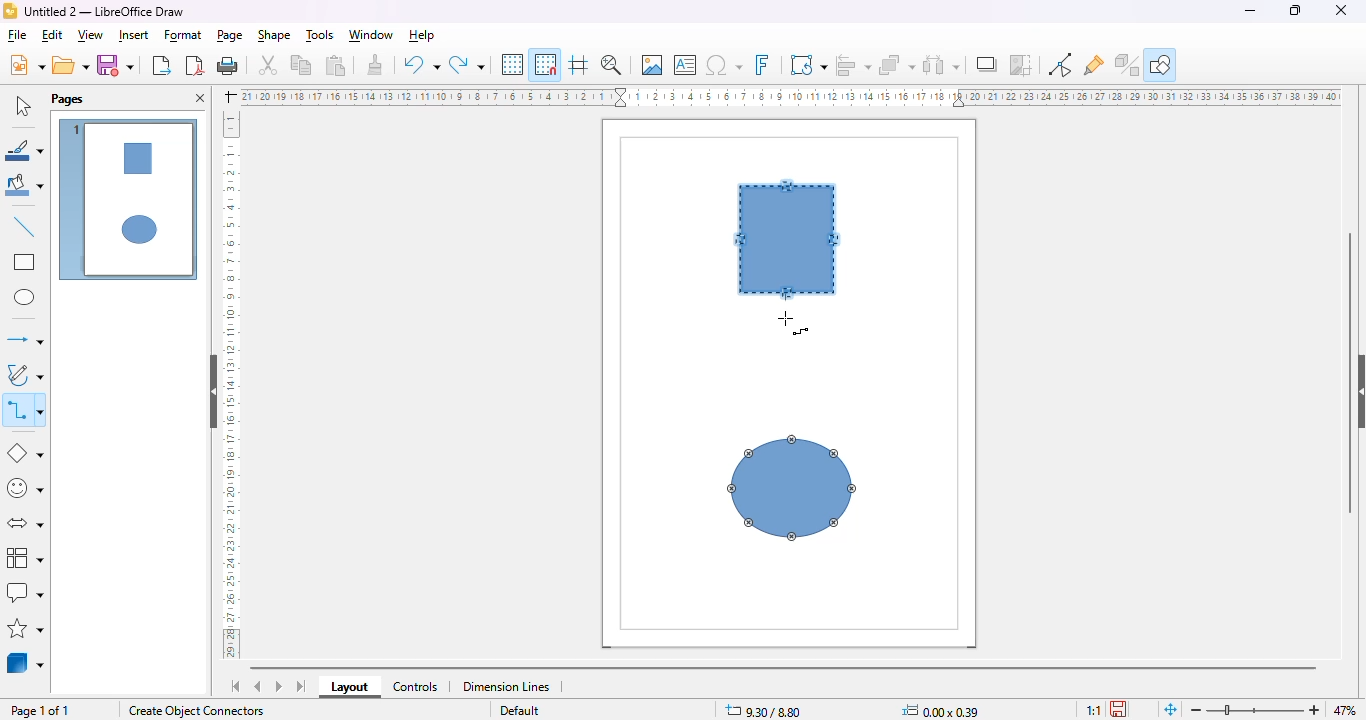 This screenshot has width=1366, height=720. Describe the element at coordinates (1311, 710) in the screenshot. I see `zoom in` at that location.